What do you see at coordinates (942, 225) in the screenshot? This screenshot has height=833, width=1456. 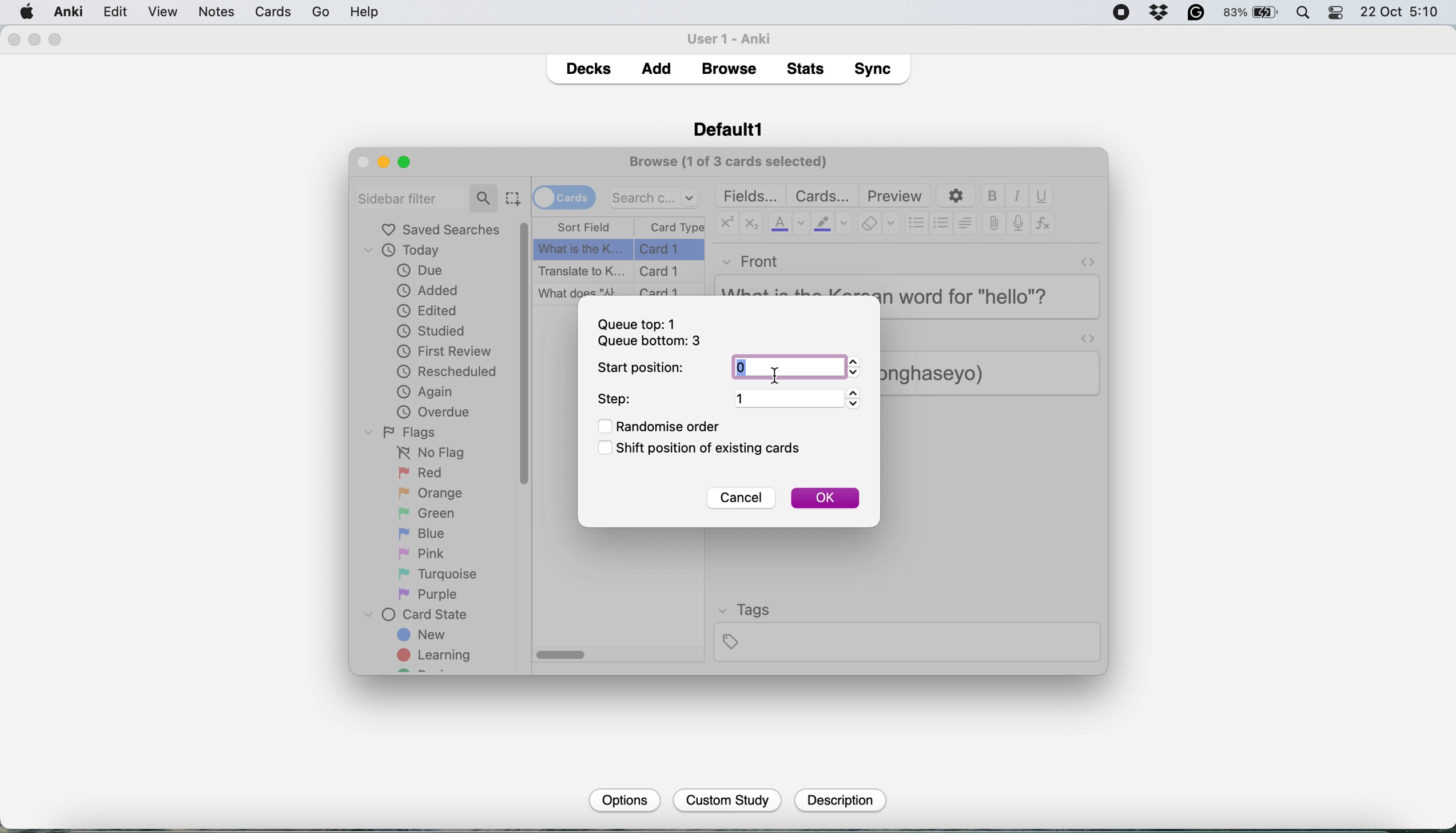 I see `numbered list` at bounding box center [942, 225].